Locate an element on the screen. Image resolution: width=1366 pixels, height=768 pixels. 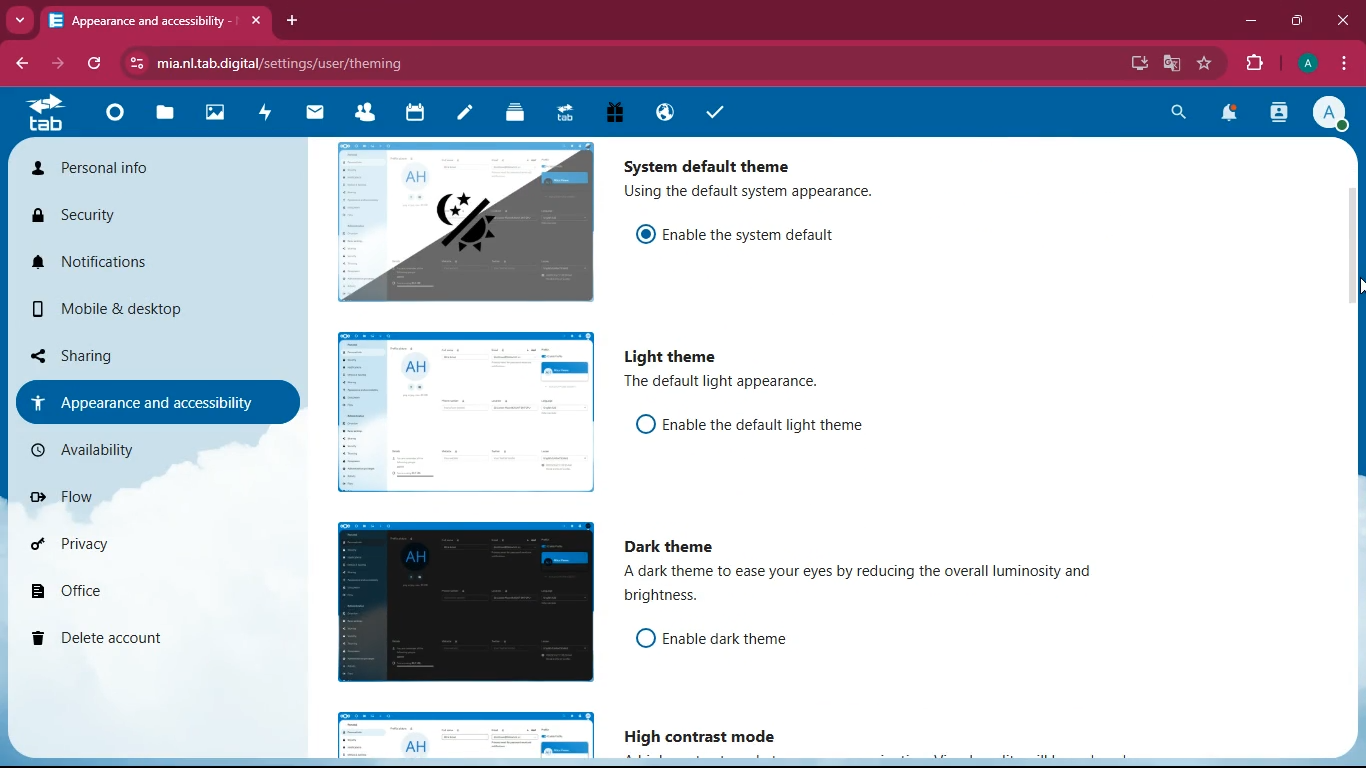
layers is located at coordinates (515, 115).